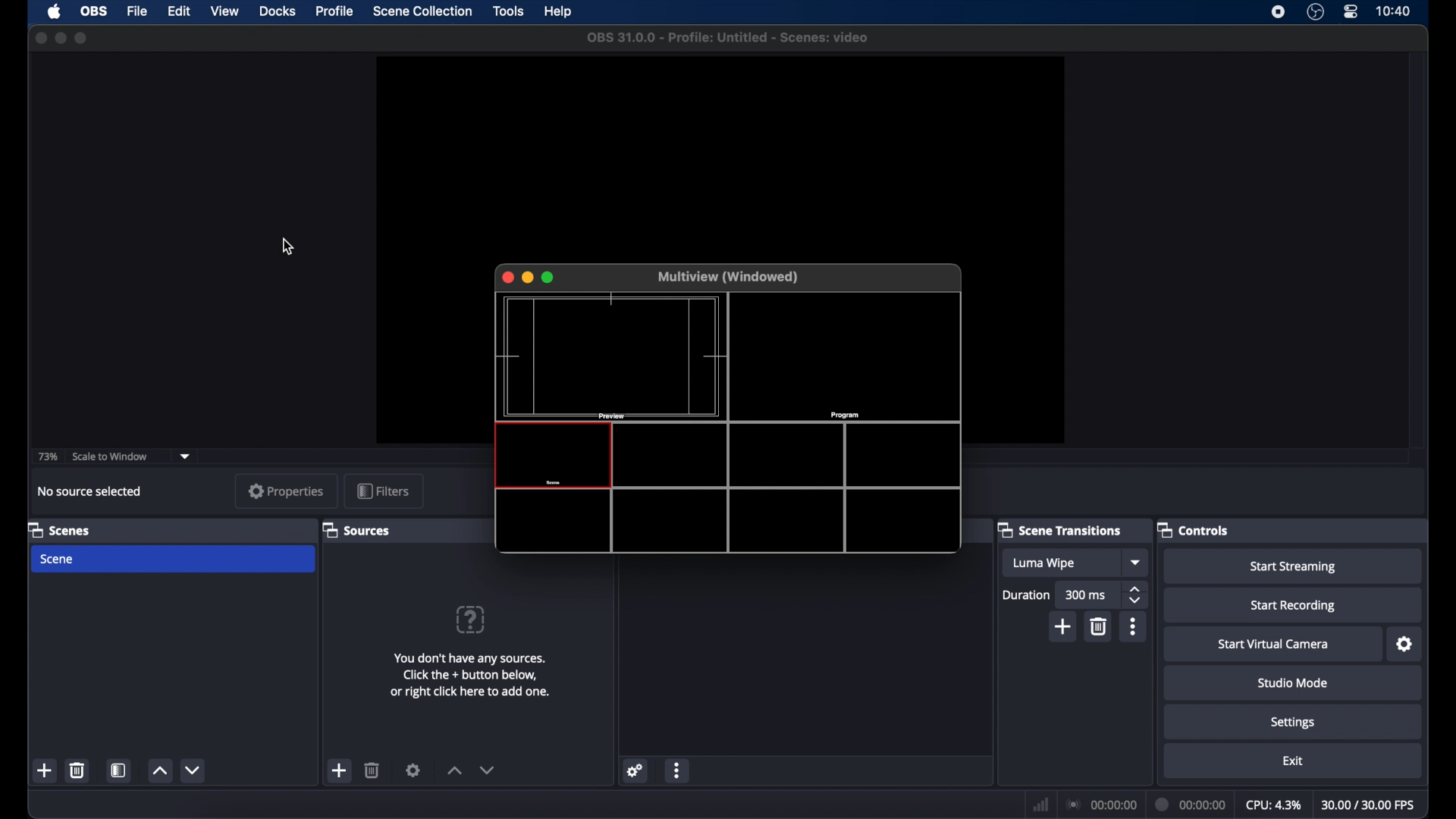  What do you see at coordinates (550, 278) in the screenshot?
I see `maximize` at bounding box center [550, 278].